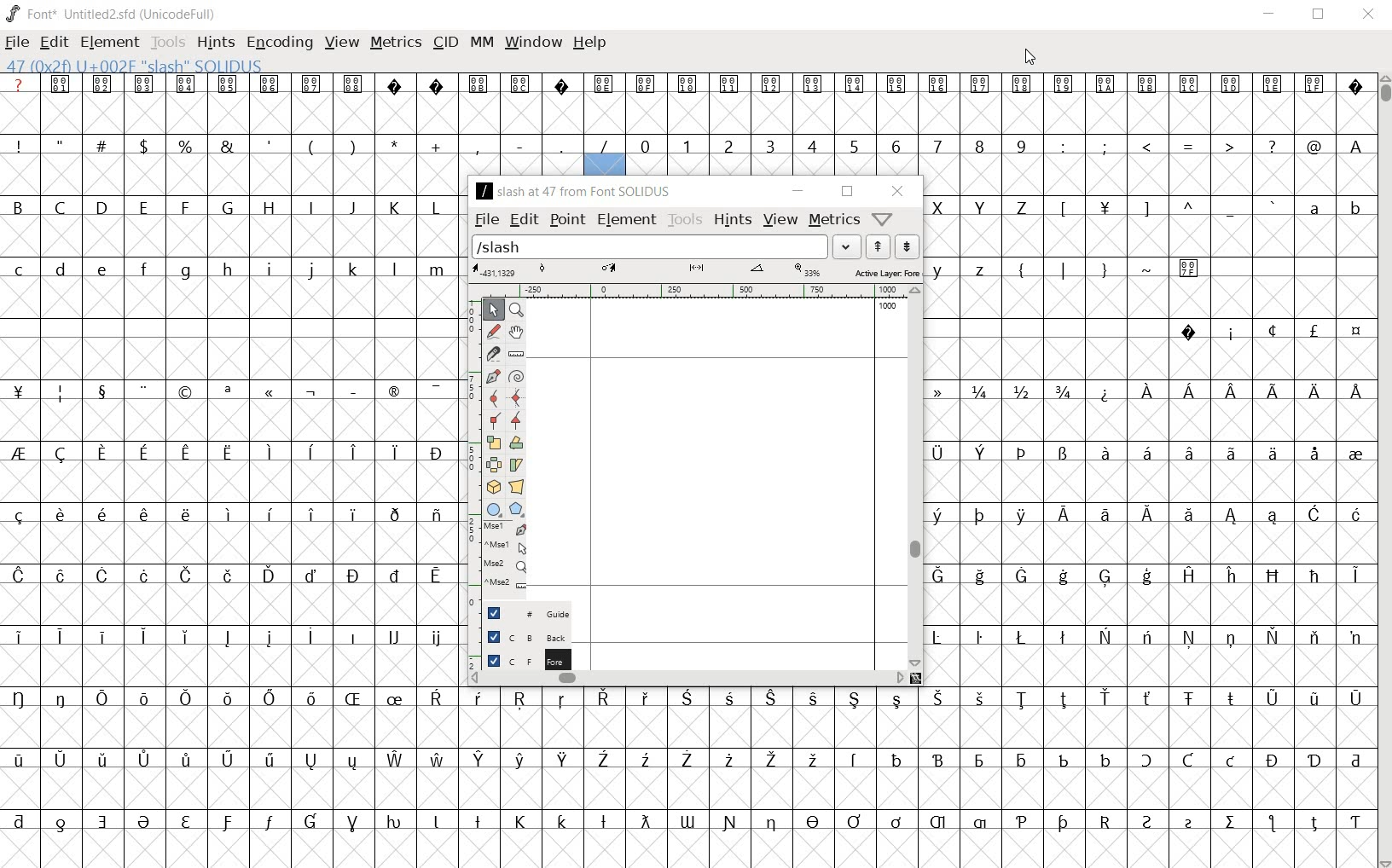 The image size is (1392, 868). I want to click on Rotate the selection, so click(516, 445).